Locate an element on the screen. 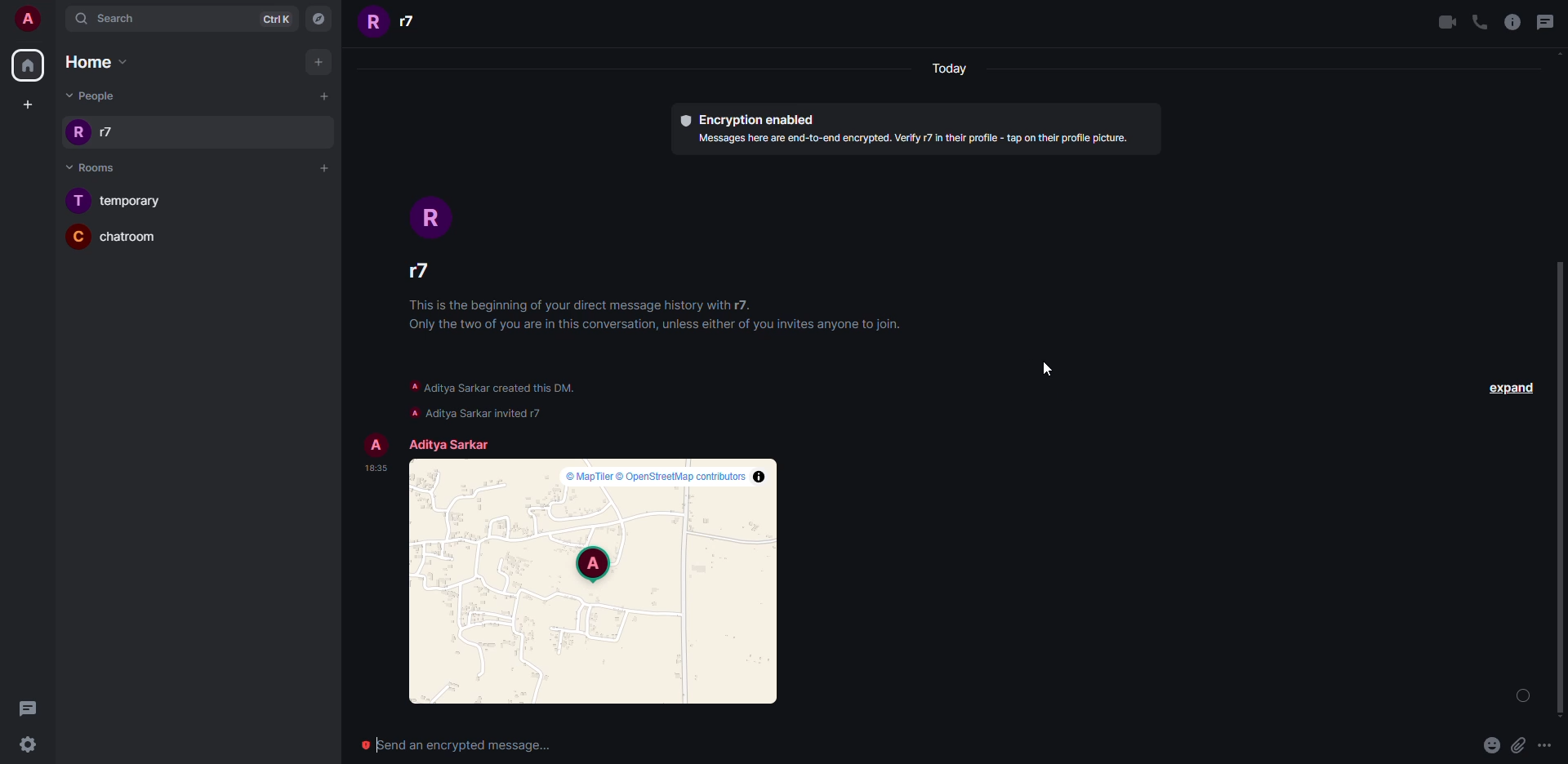 The height and width of the screenshot is (764, 1568). People is located at coordinates (87, 95).